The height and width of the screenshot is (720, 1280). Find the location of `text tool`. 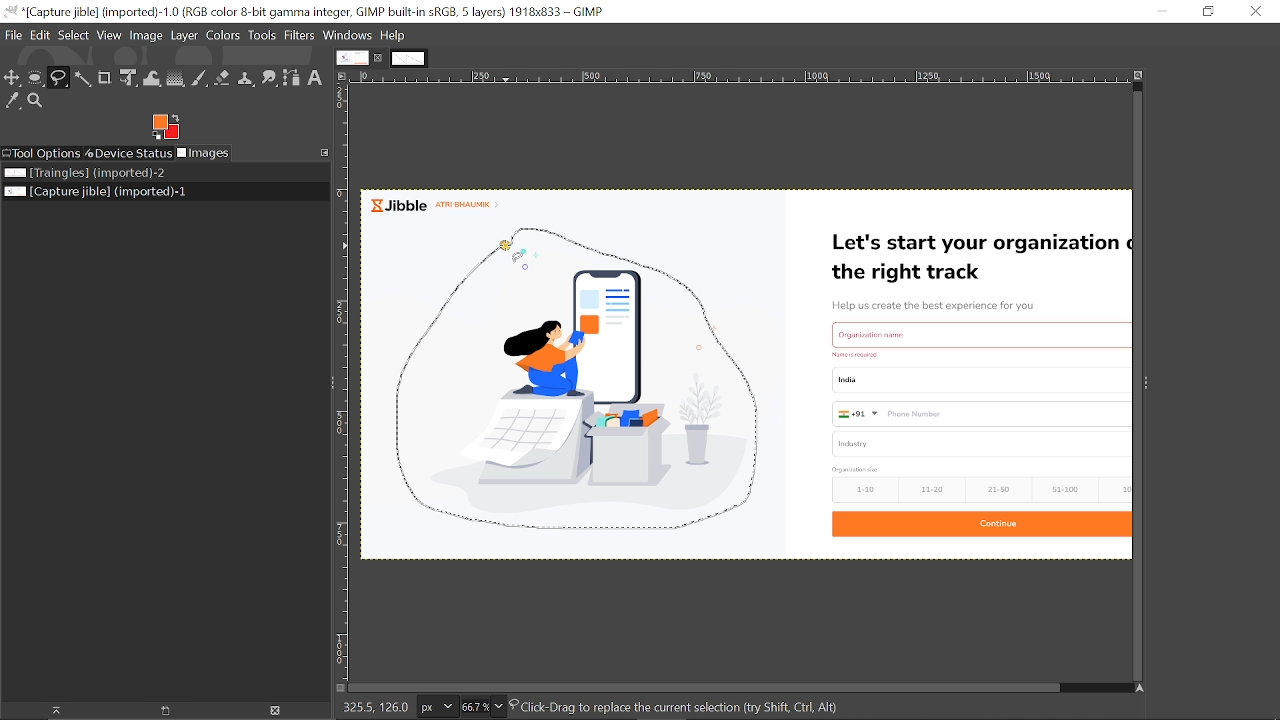

text tool is located at coordinates (316, 78).